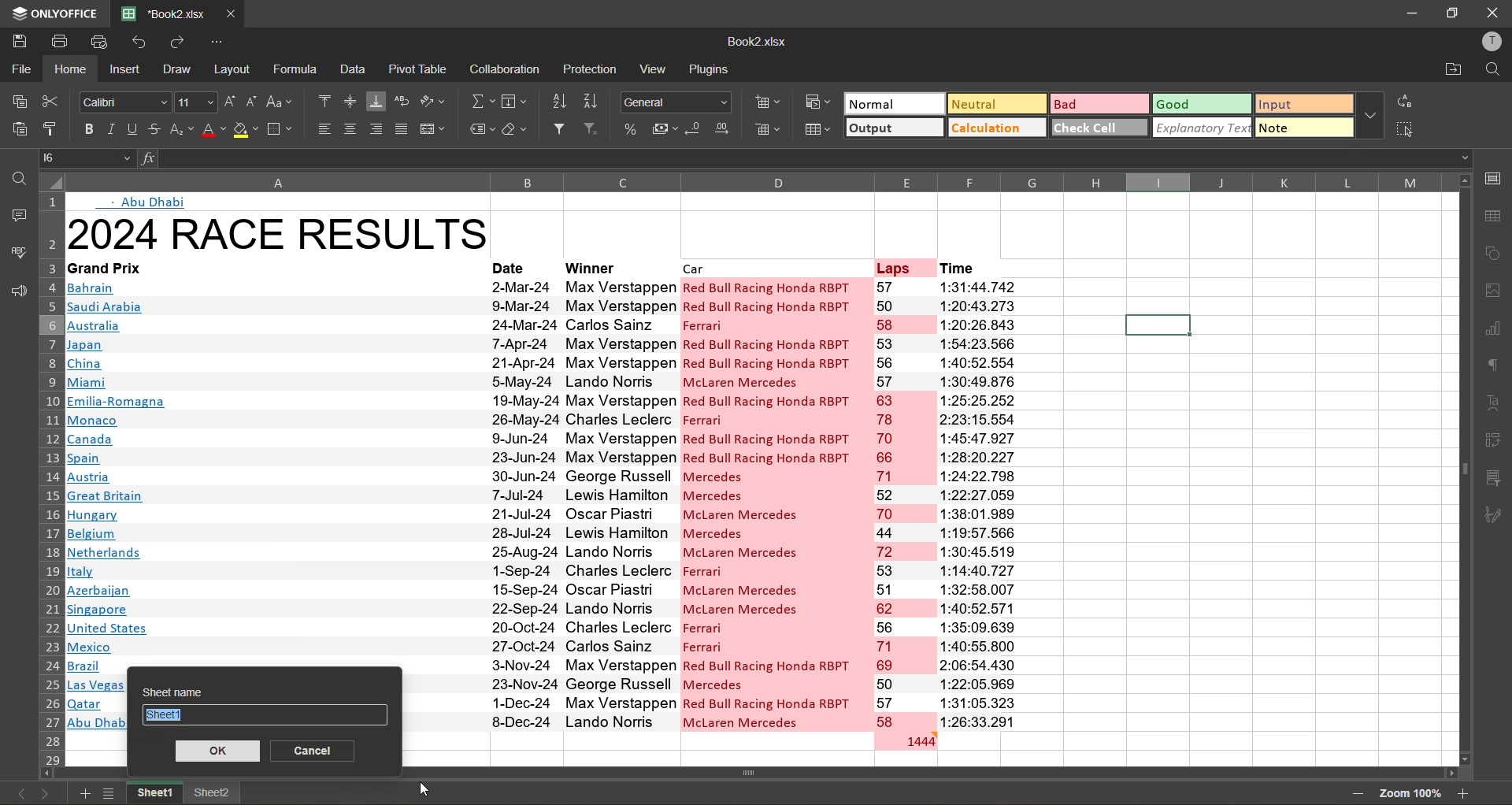 The width and height of the screenshot is (1512, 805). I want to click on zoom in , so click(1464, 792).